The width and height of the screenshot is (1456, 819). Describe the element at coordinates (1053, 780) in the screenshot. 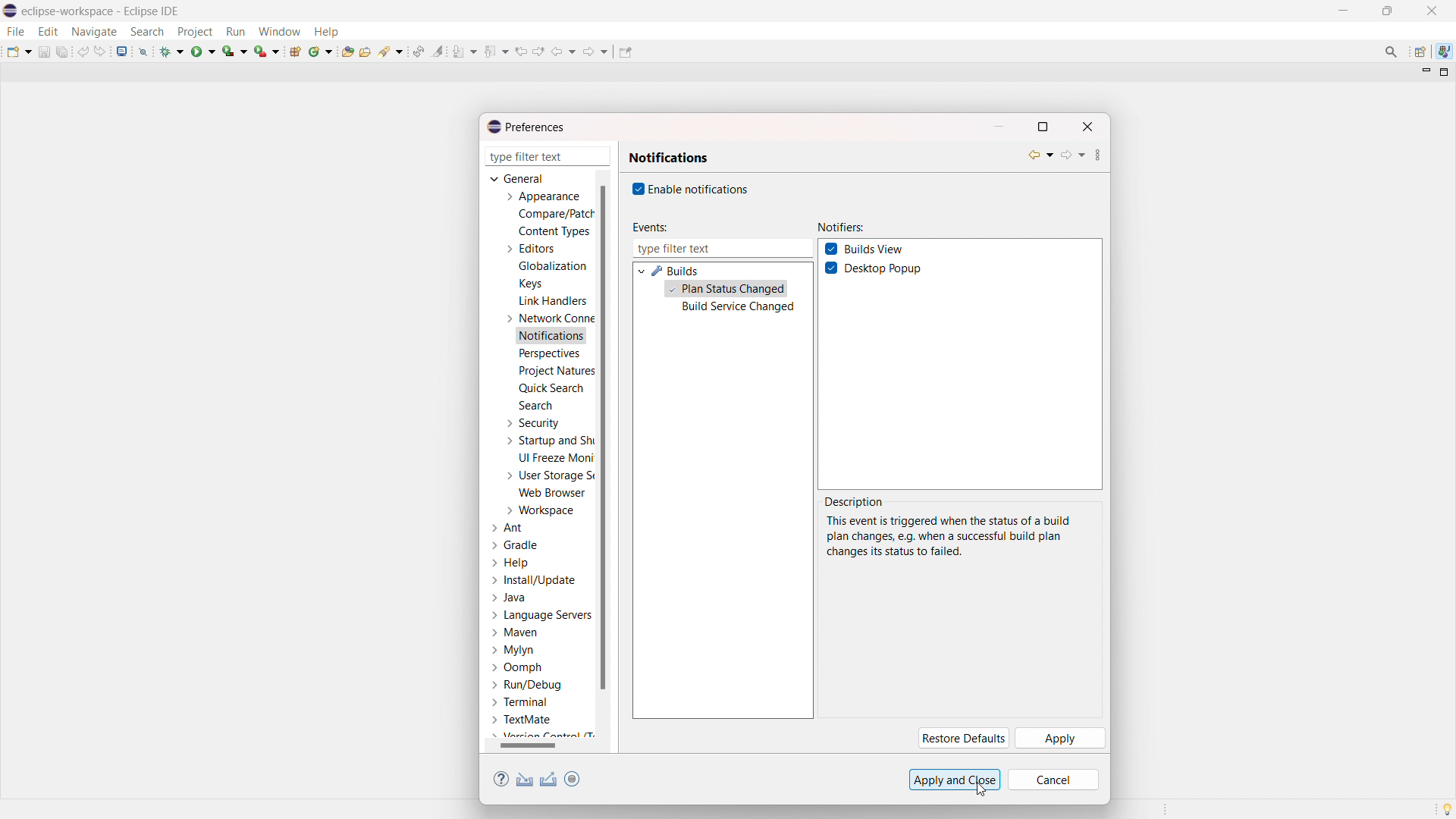

I see `cancel` at that location.